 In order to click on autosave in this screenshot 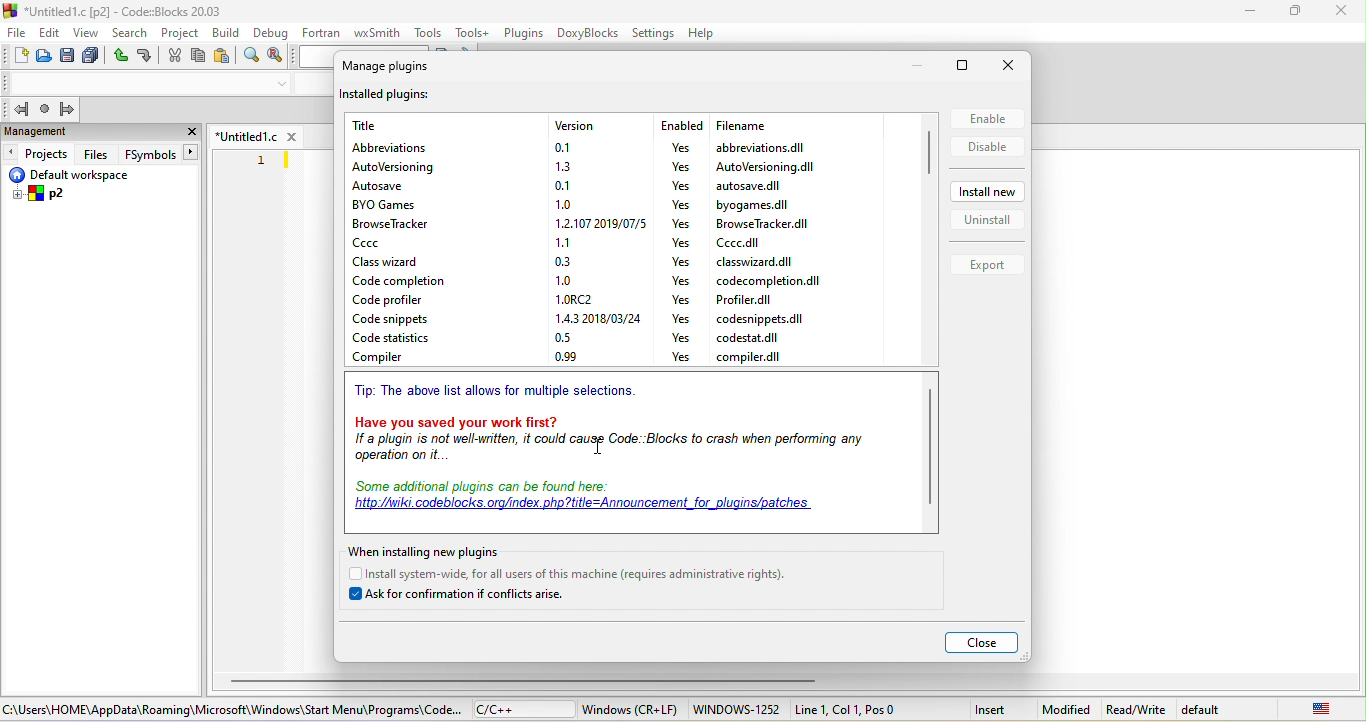, I will do `click(389, 189)`.